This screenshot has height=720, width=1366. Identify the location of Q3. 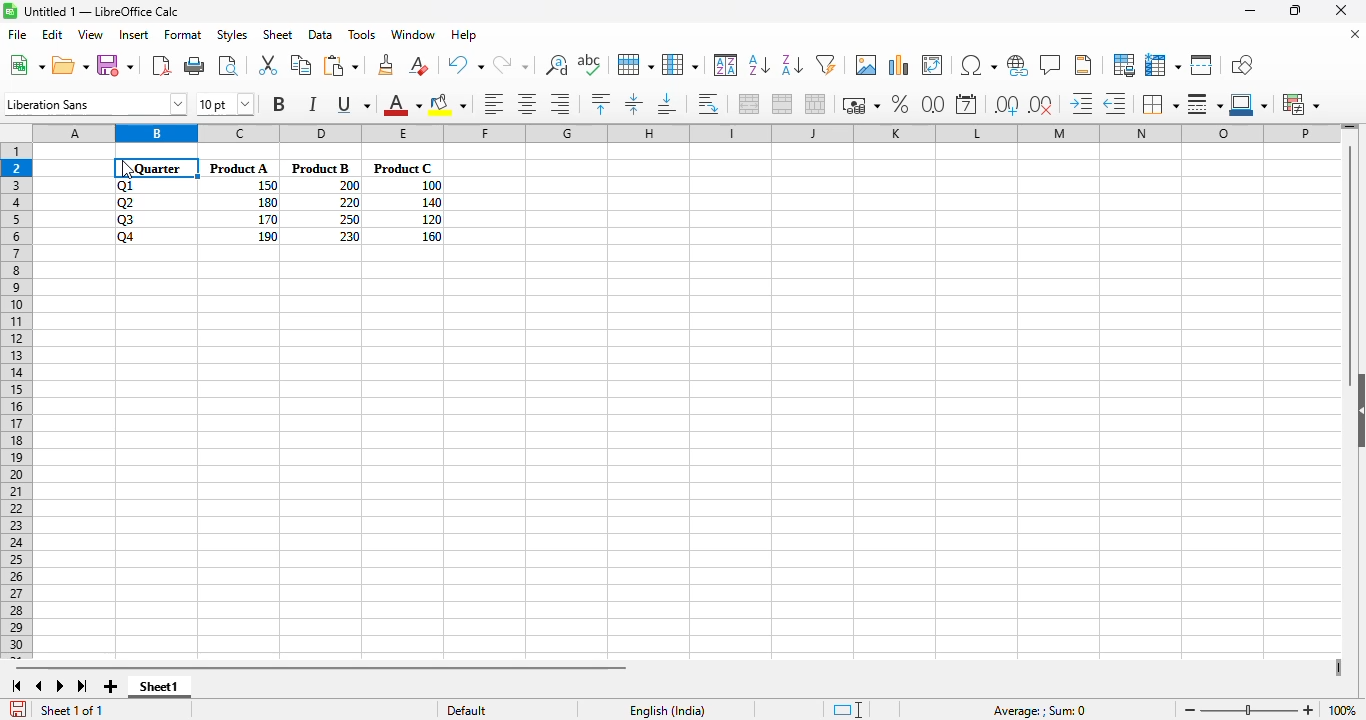
(127, 220).